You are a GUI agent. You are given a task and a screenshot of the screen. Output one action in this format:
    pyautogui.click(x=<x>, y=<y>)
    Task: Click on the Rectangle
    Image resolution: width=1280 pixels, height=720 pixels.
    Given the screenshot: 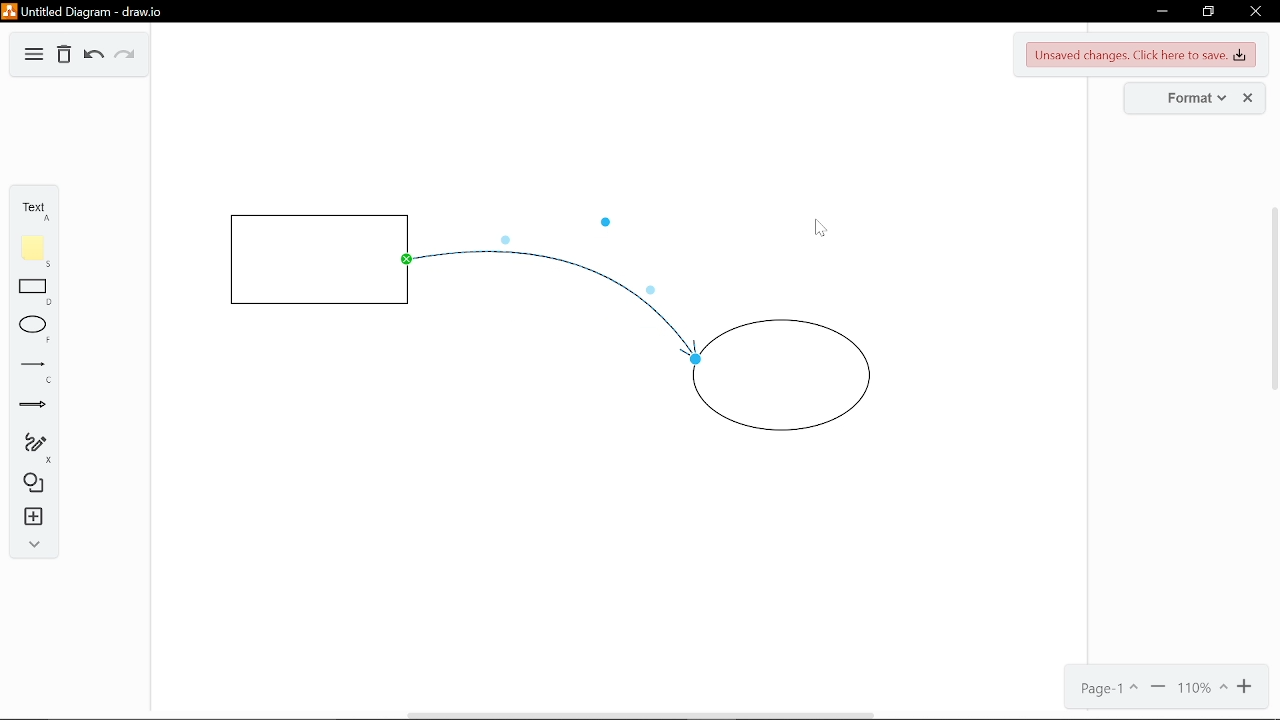 What is the action you would take?
    pyautogui.click(x=32, y=292)
    